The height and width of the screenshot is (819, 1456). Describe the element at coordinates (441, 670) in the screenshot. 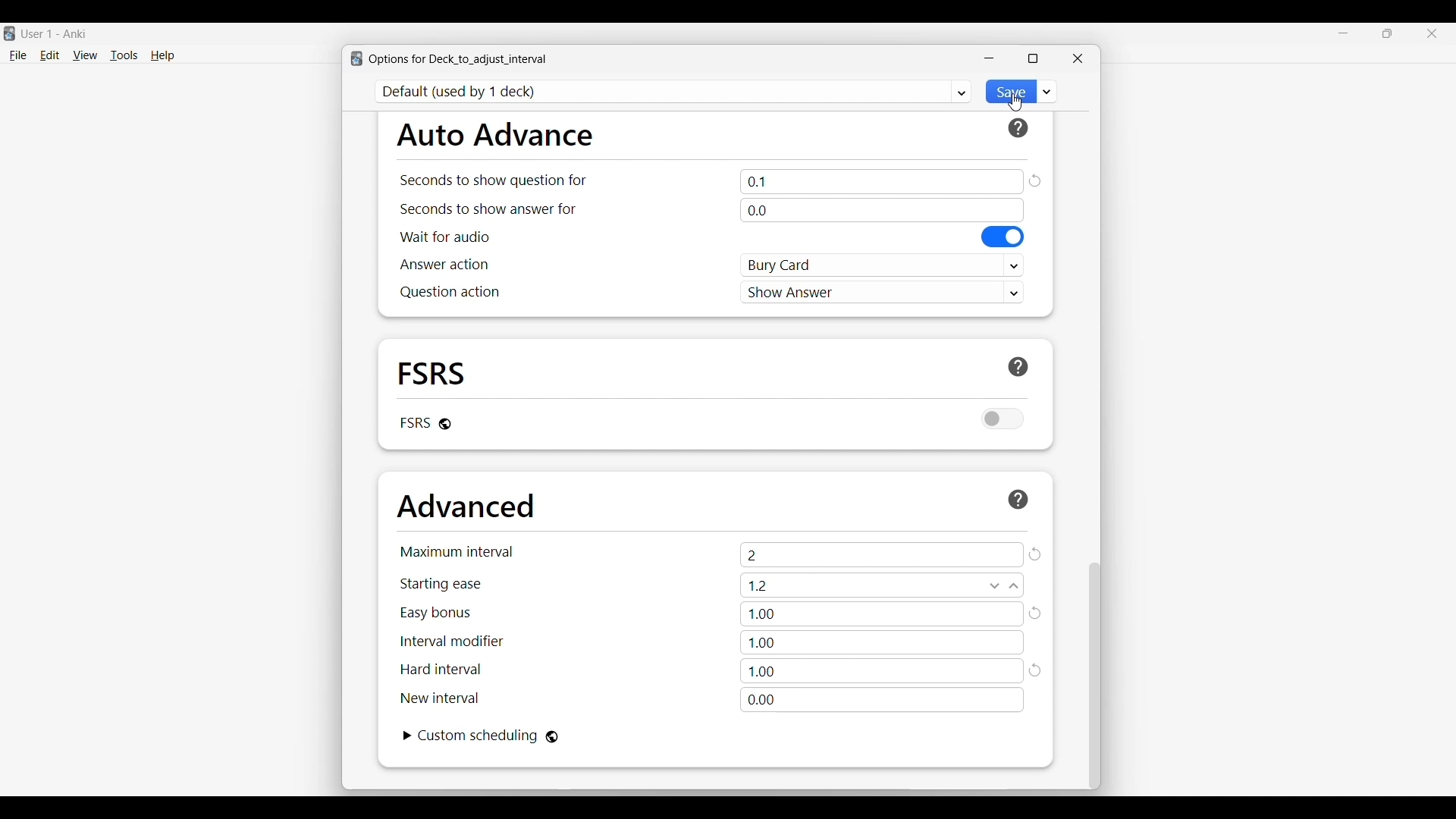

I see `Indicates hard interval` at that location.